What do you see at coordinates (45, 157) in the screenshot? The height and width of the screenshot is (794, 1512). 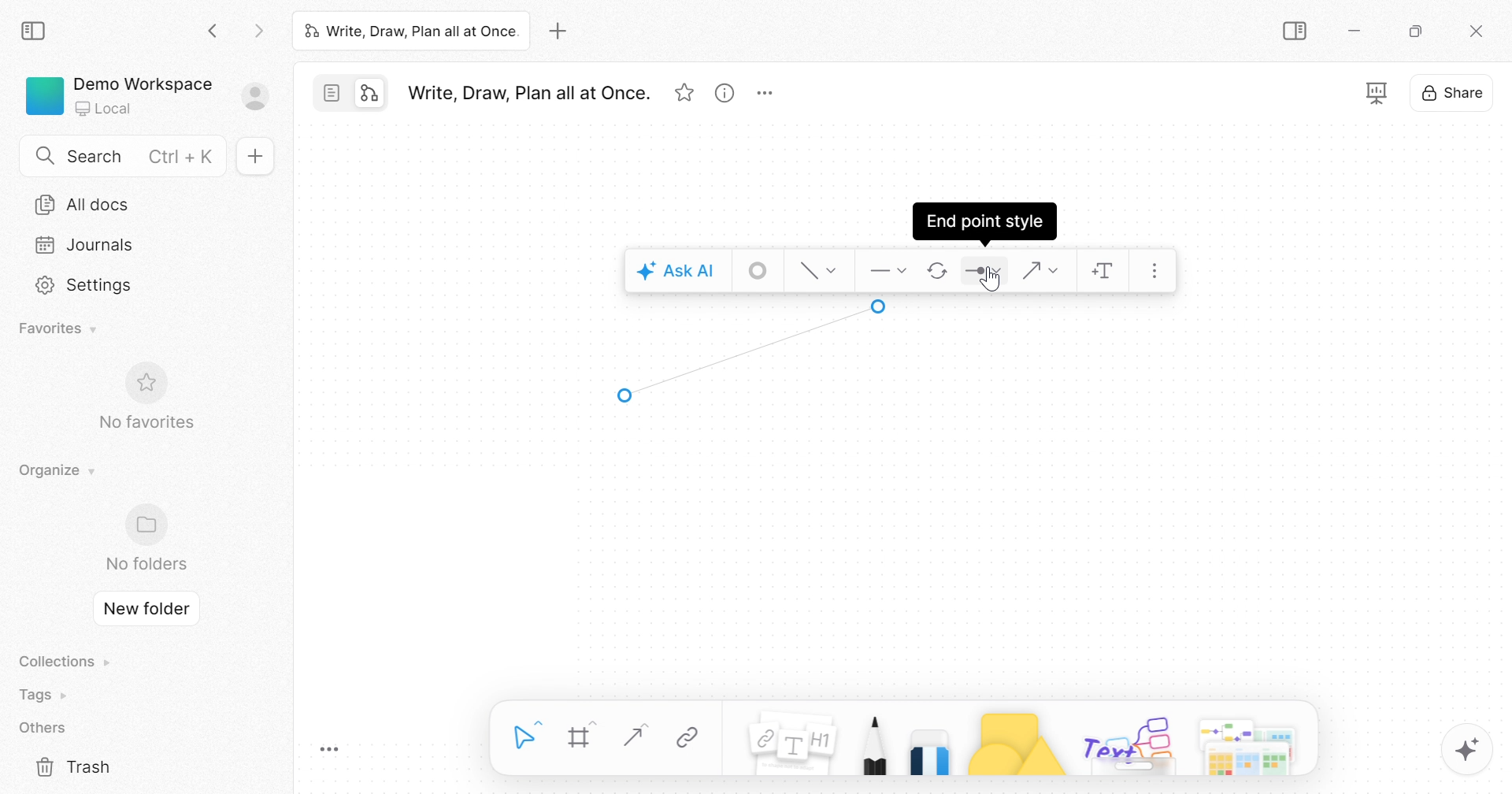 I see `Search icon` at bounding box center [45, 157].